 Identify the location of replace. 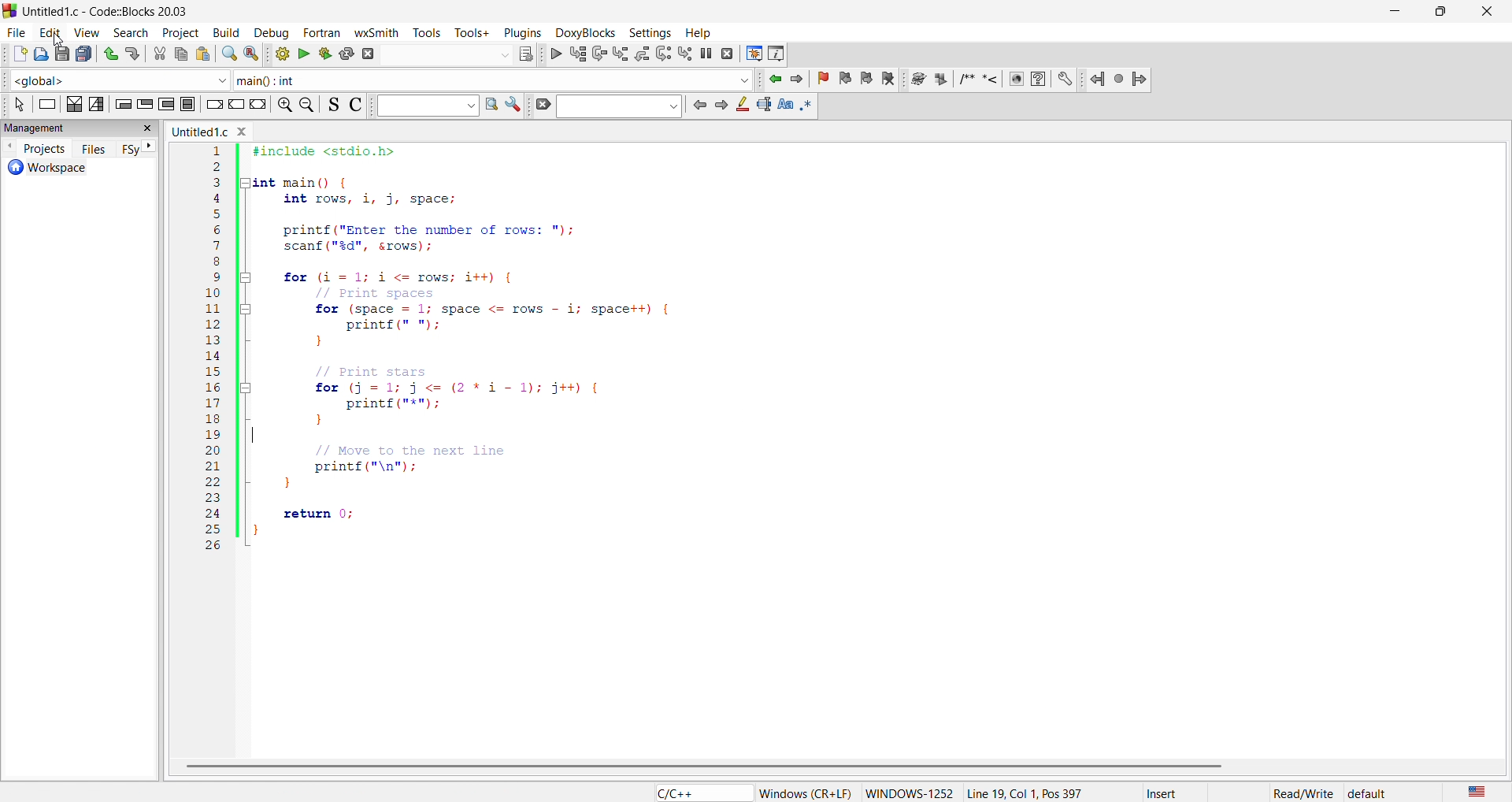
(250, 54).